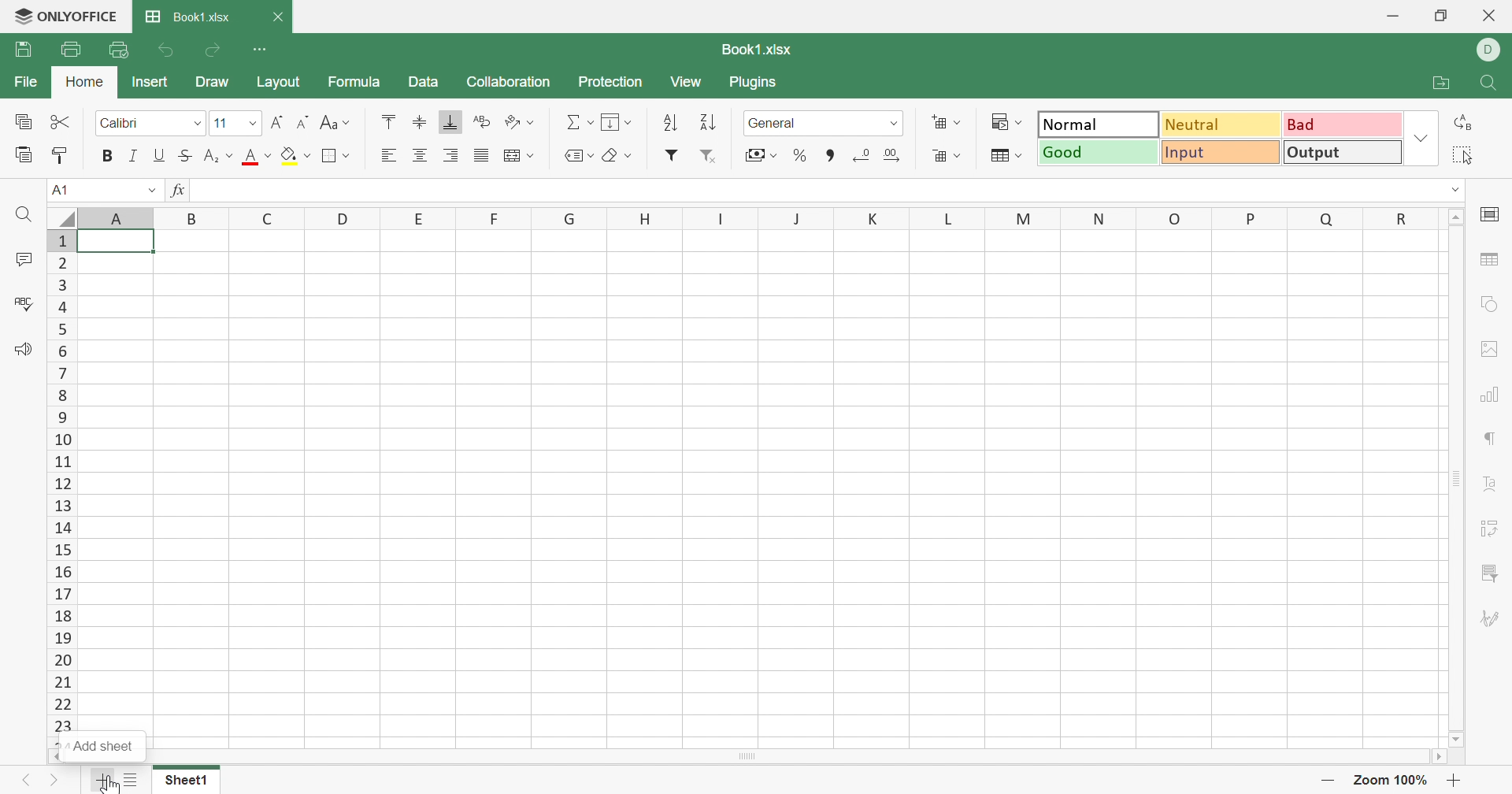  Describe the element at coordinates (1460, 736) in the screenshot. I see `Scroll Down` at that location.